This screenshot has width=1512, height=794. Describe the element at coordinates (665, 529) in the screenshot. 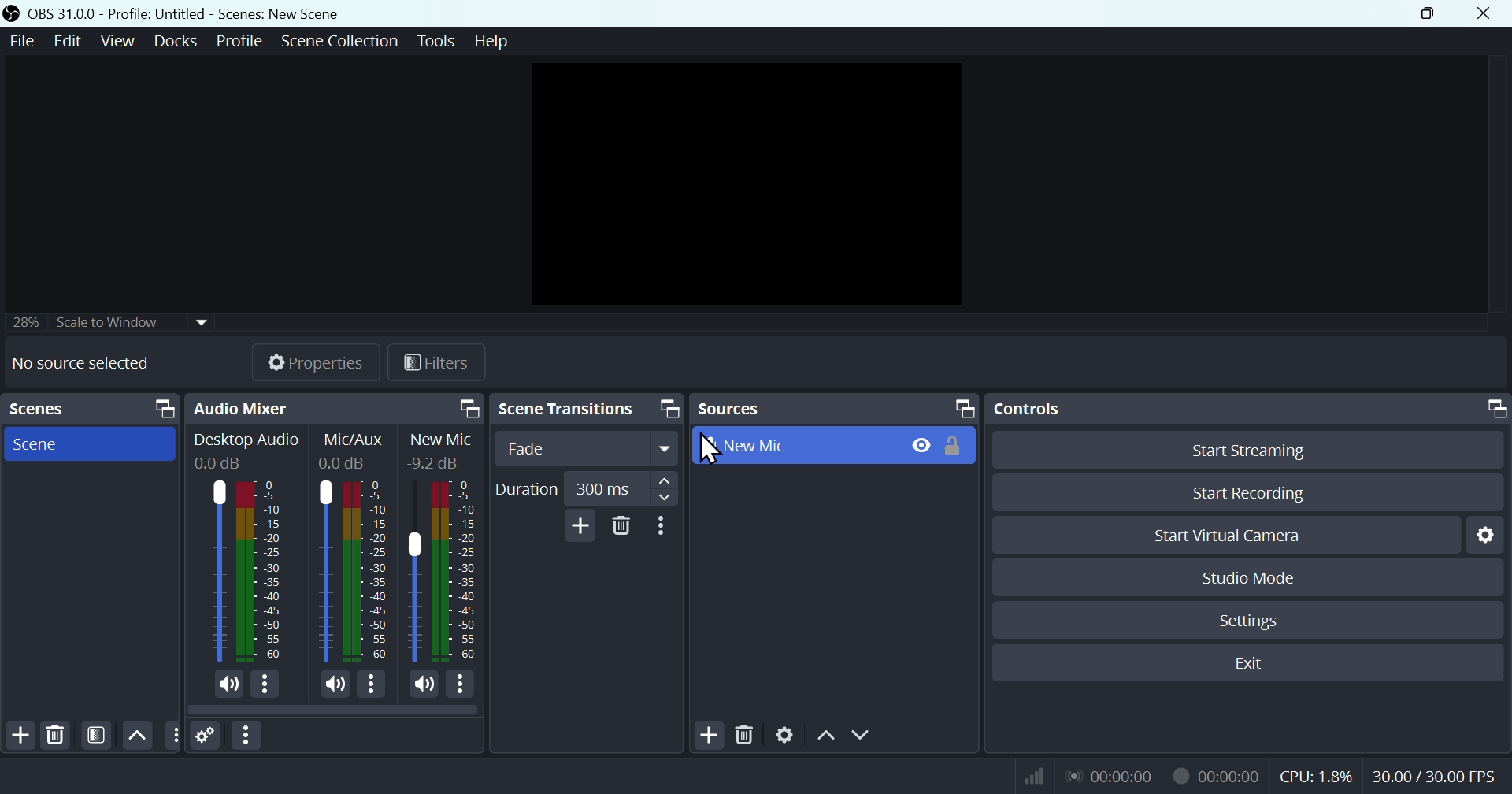

I see `More options` at that location.